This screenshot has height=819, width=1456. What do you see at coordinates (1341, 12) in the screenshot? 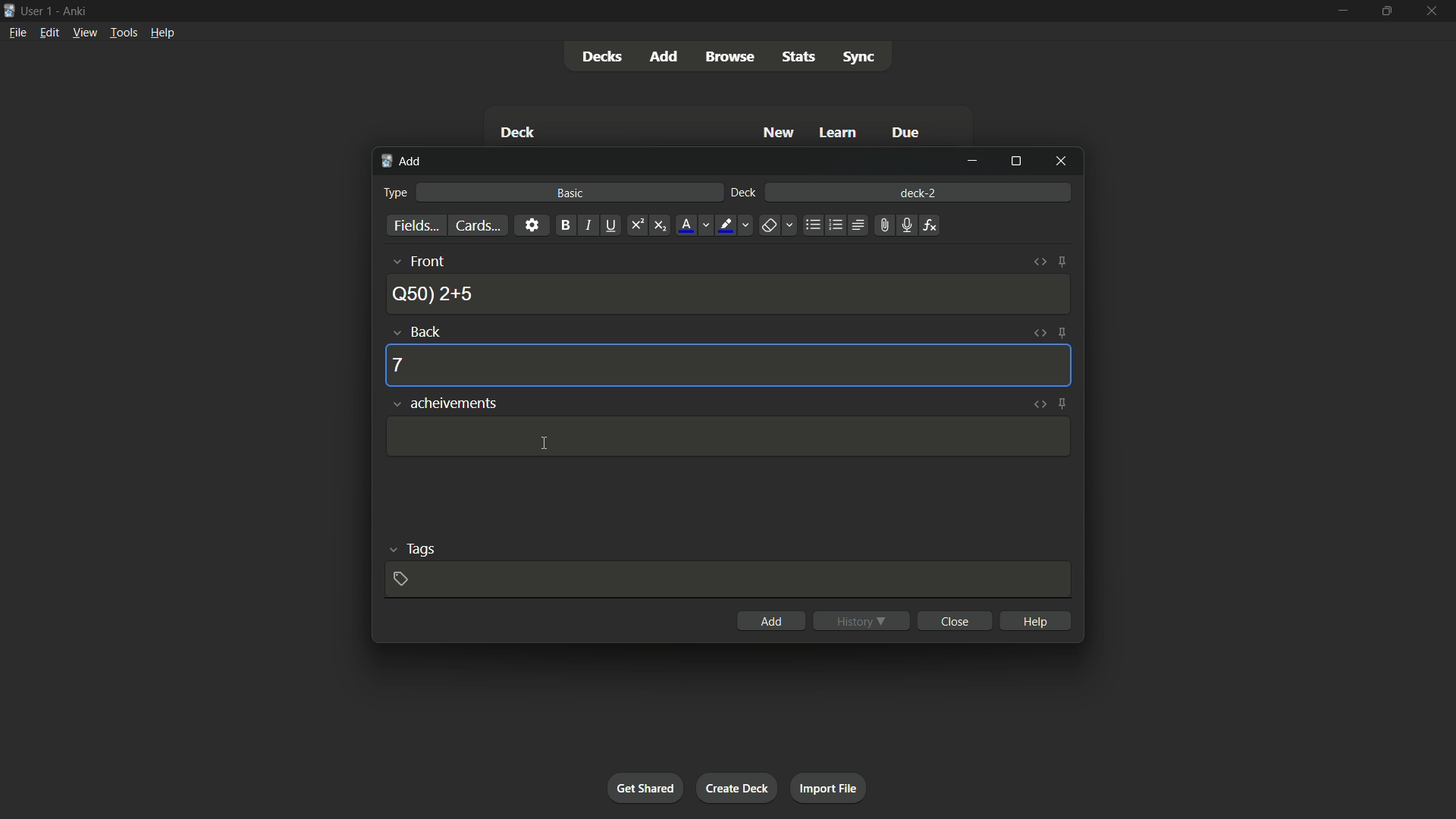
I see `minimize` at bounding box center [1341, 12].